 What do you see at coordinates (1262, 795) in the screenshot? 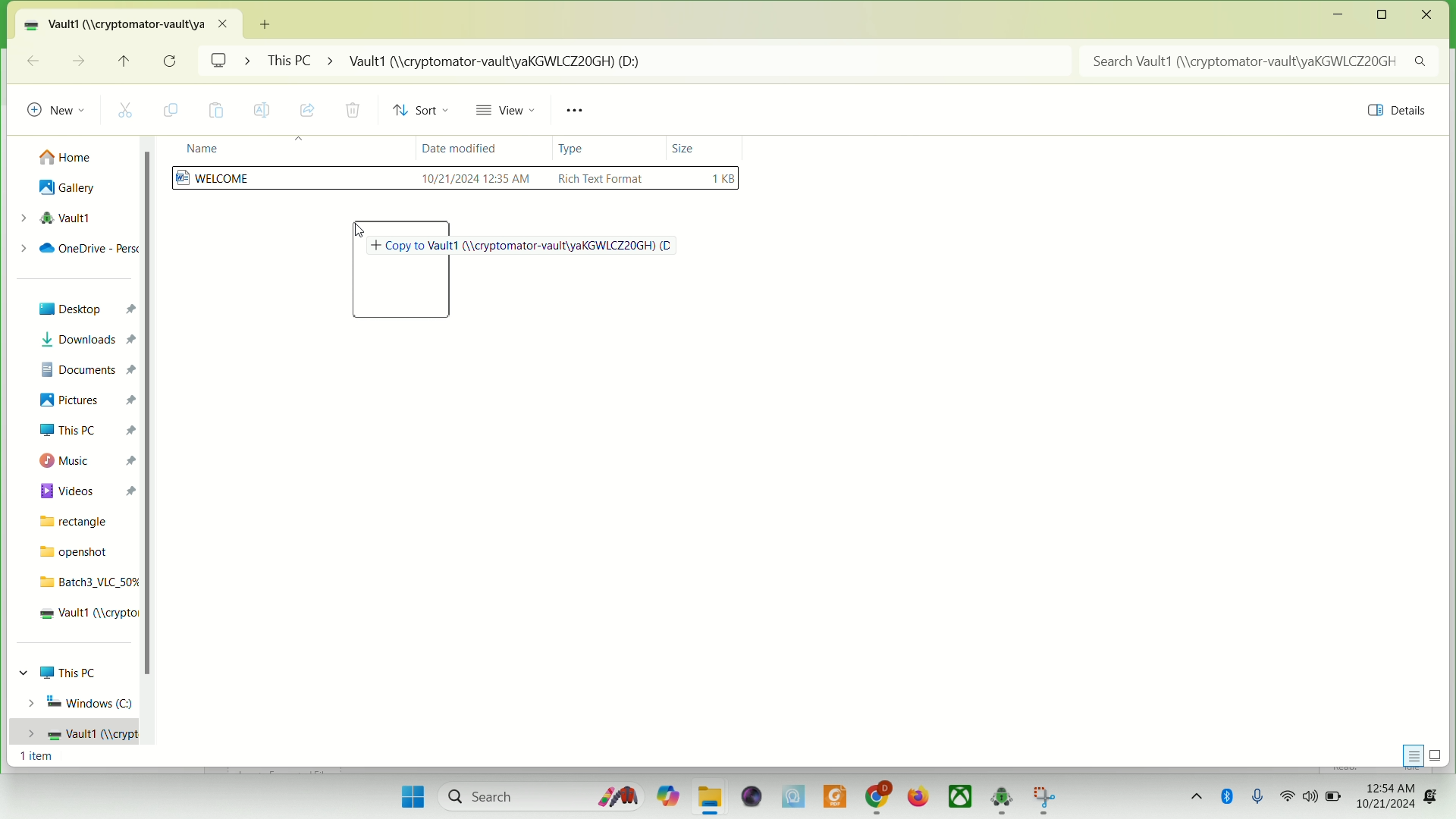
I see `microphone` at bounding box center [1262, 795].